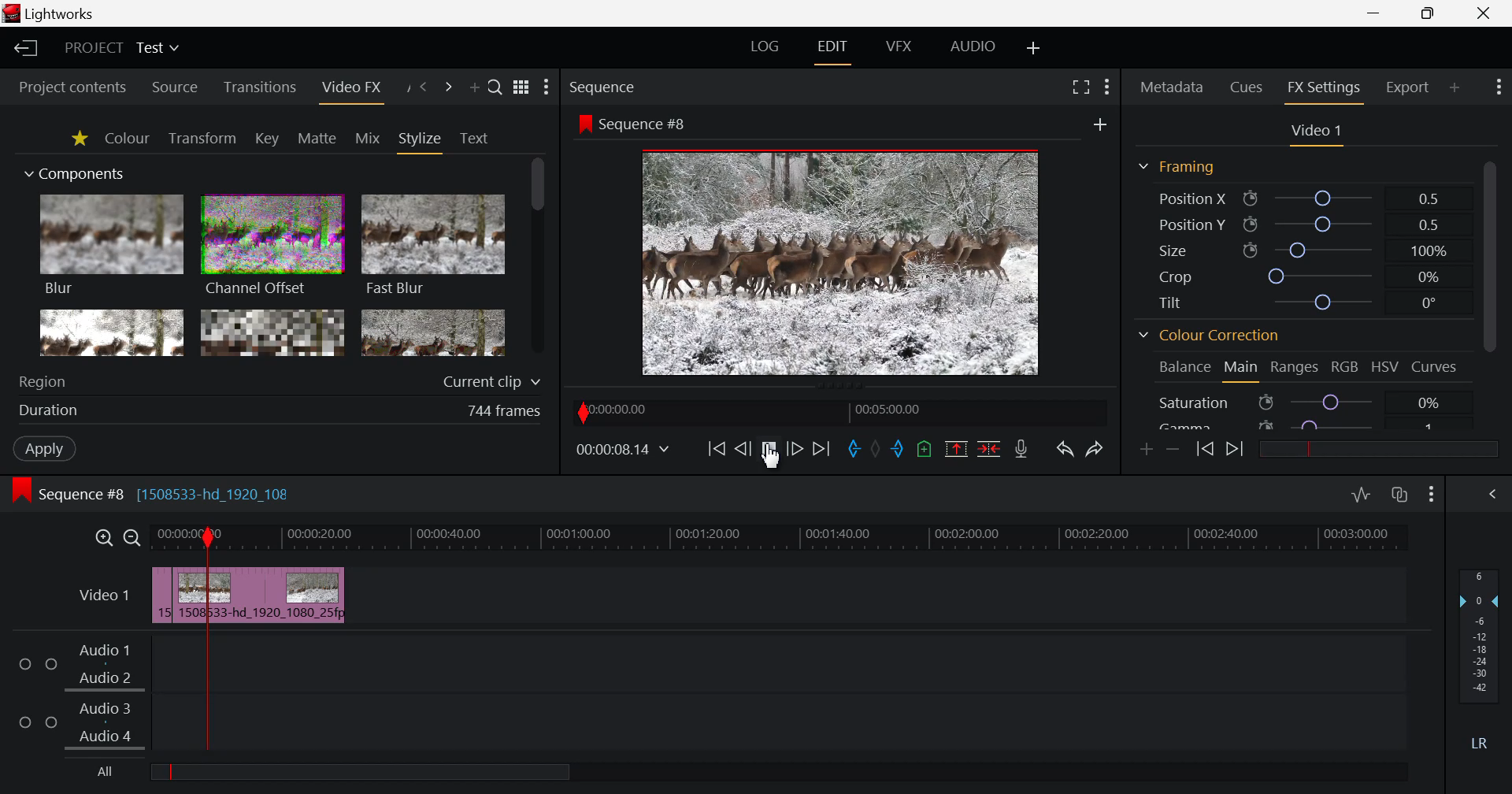 This screenshot has width=1512, height=794. I want to click on Previous keyframe, so click(1203, 450).